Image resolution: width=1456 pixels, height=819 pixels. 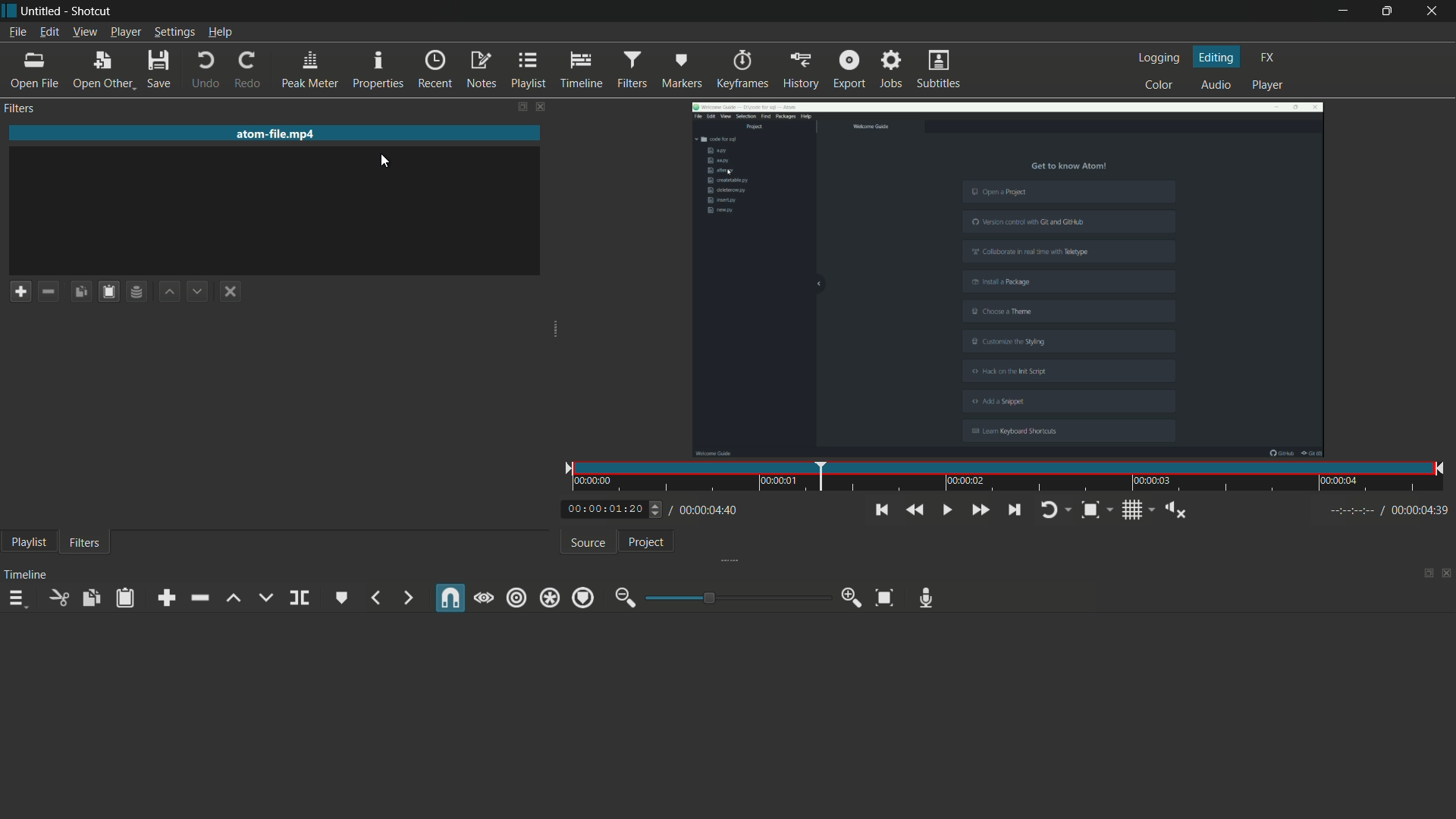 I want to click on history, so click(x=799, y=69).